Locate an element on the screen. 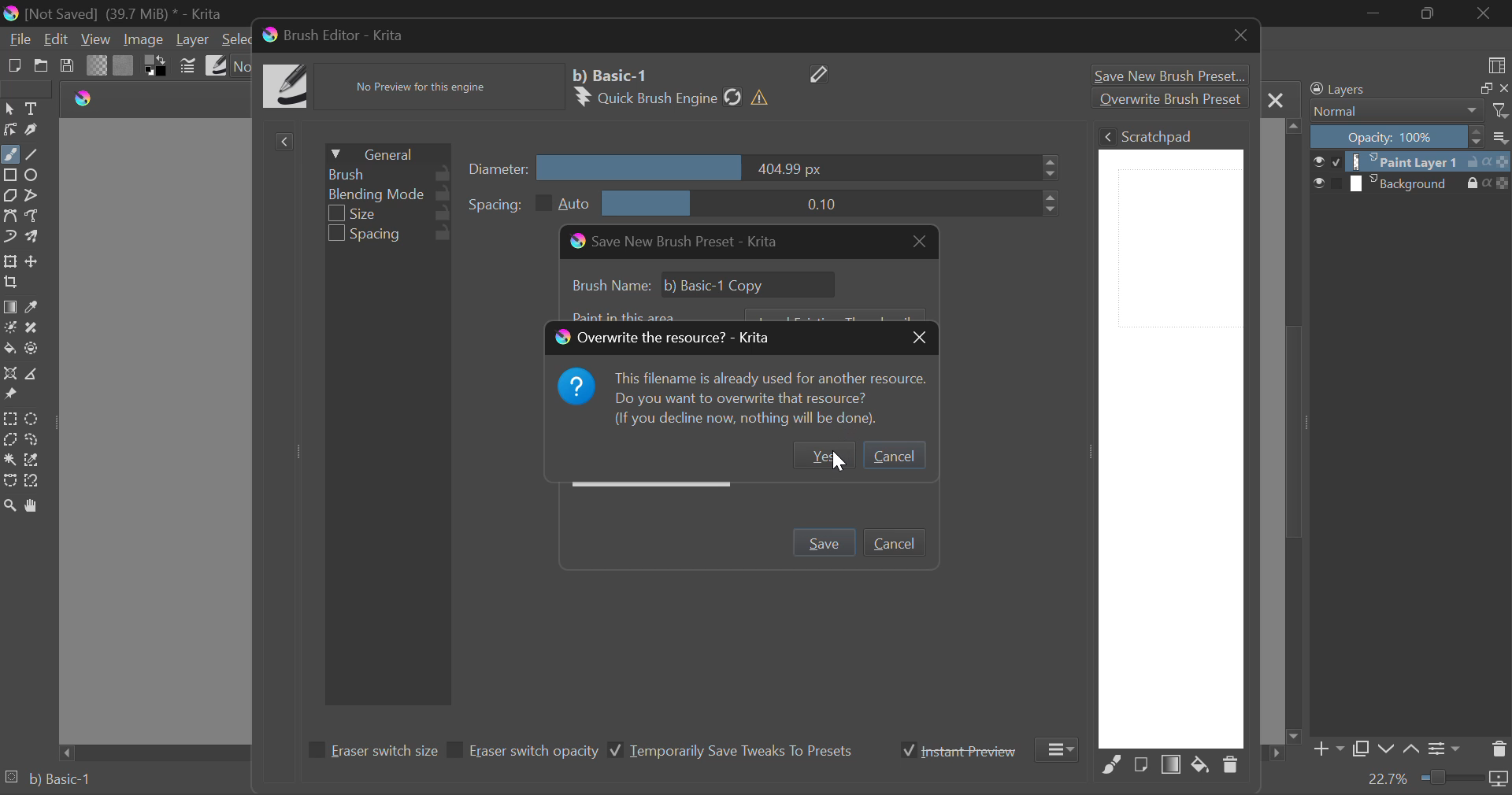  Eraser switch opacity is located at coordinates (524, 752).